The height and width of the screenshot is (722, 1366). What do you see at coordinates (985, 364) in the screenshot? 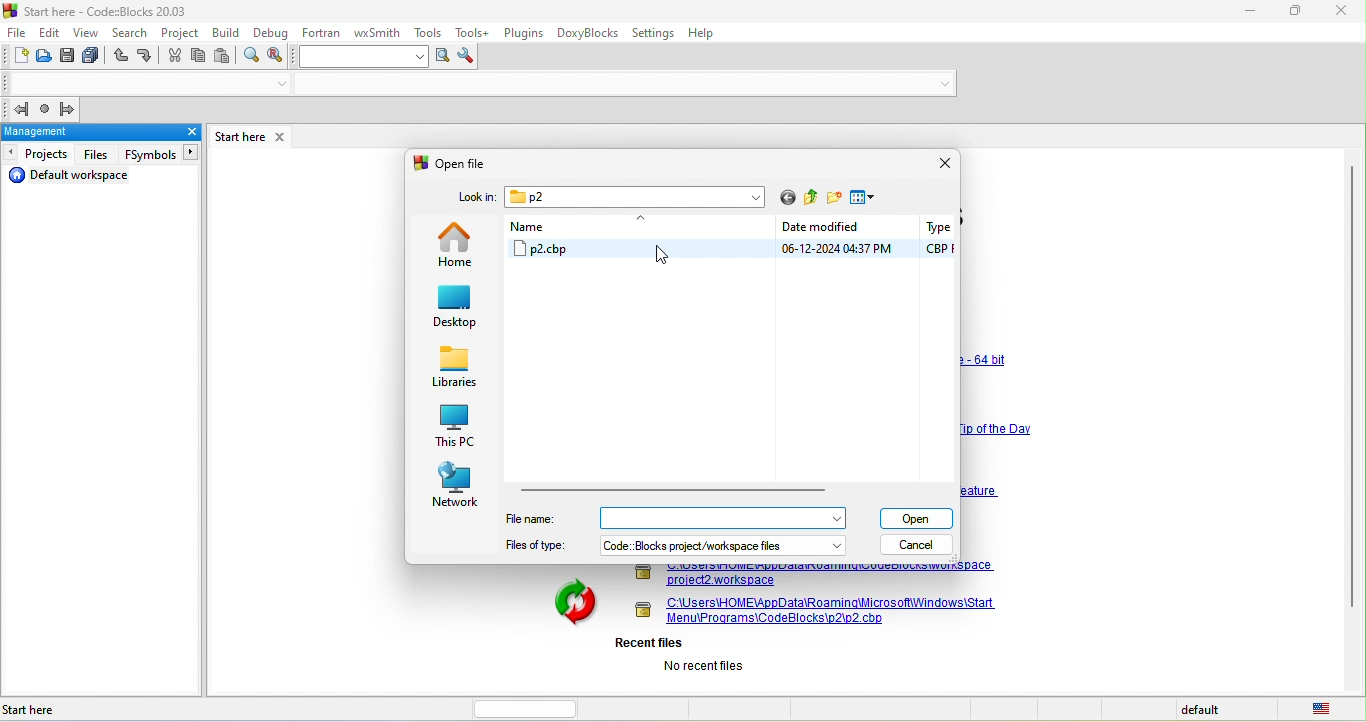
I see `link` at bounding box center [985, 364].